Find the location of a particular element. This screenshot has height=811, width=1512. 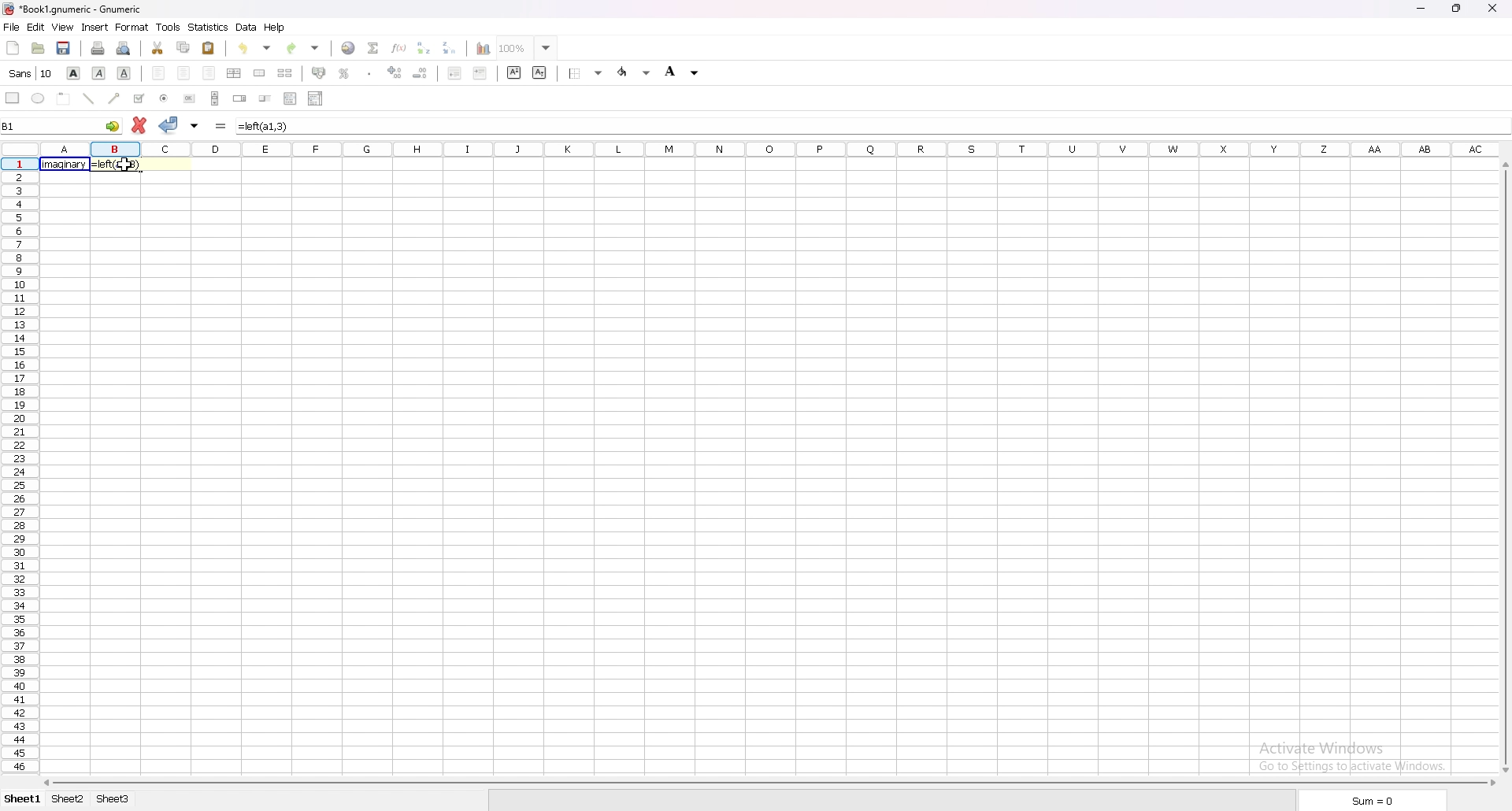

print preview is located at coordinates (125, 49).